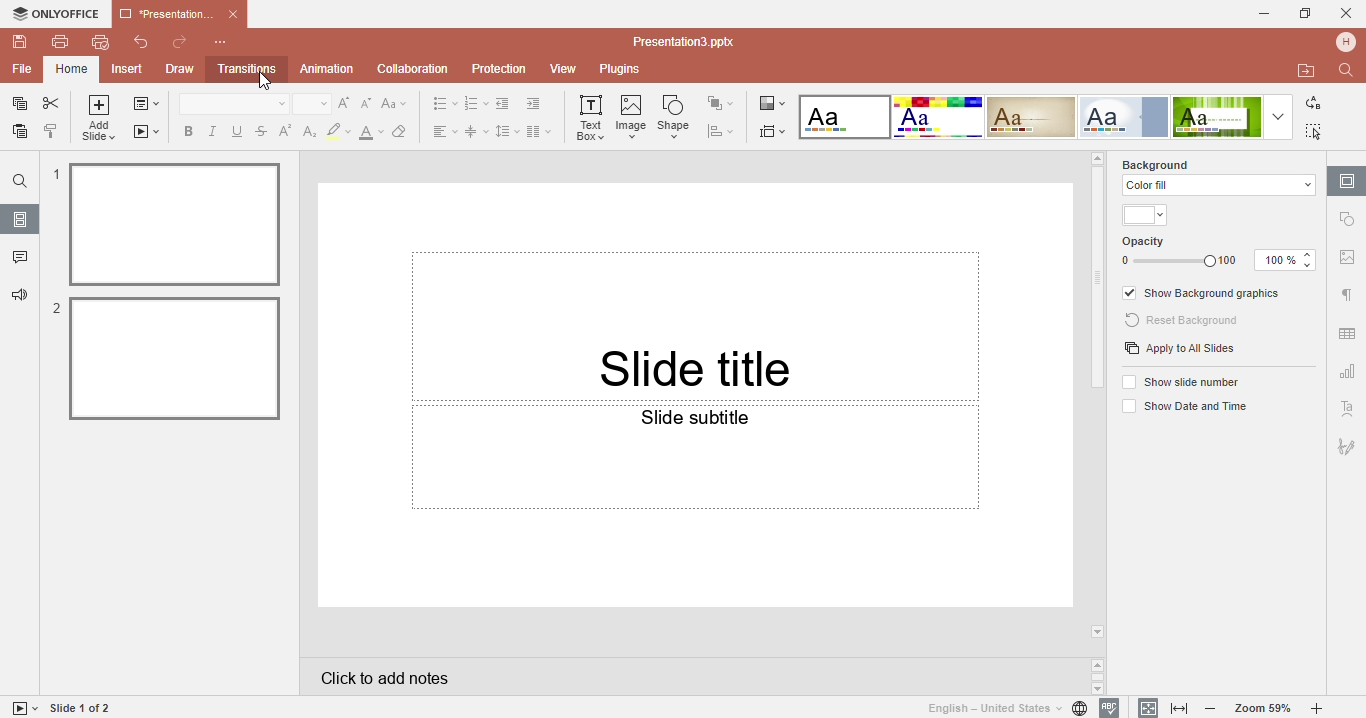  I want to click on Find, so click(1349, 70).